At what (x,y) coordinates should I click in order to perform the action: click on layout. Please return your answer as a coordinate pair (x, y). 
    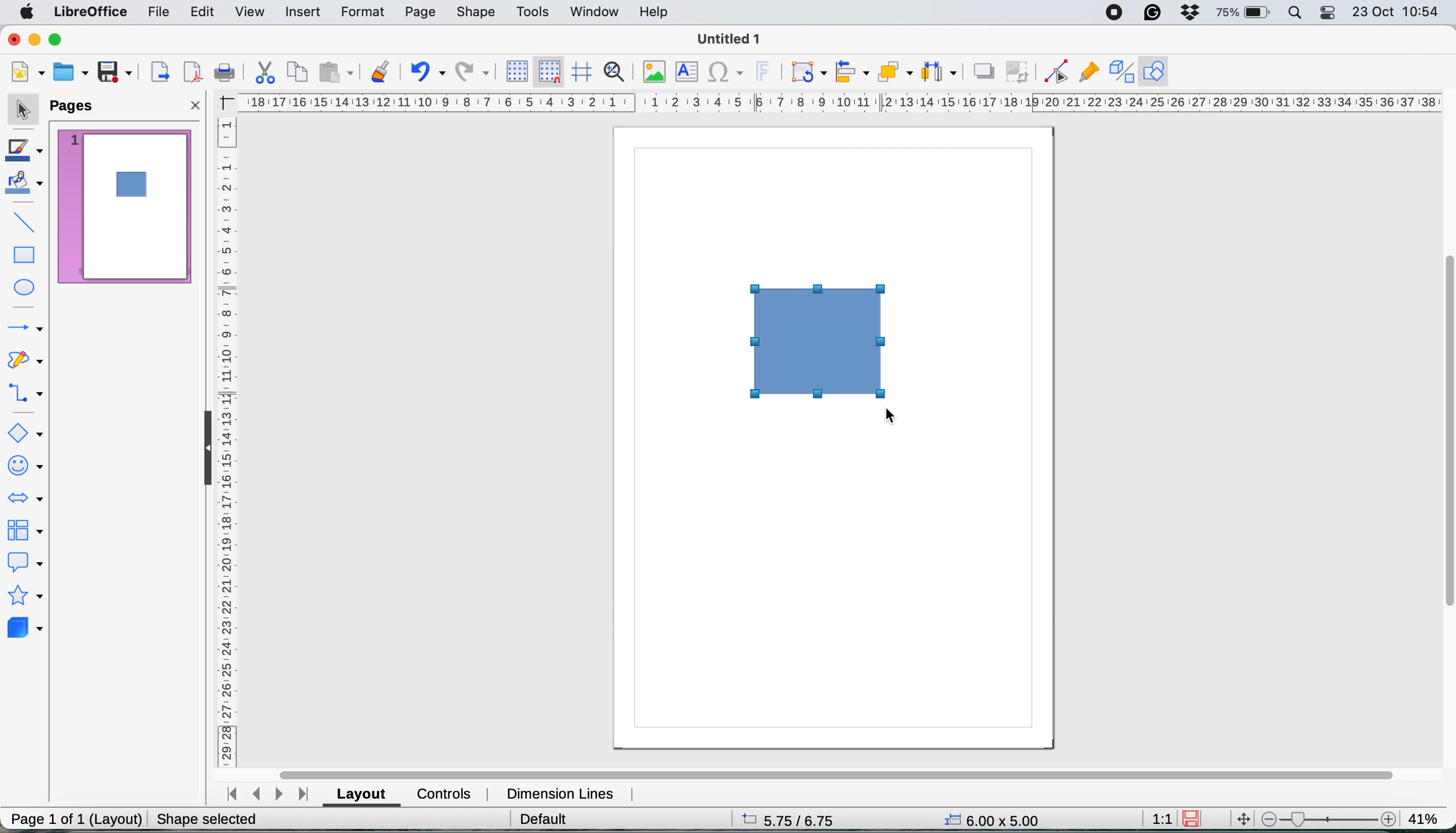
    Looking at the image, I should click on (363, 794).